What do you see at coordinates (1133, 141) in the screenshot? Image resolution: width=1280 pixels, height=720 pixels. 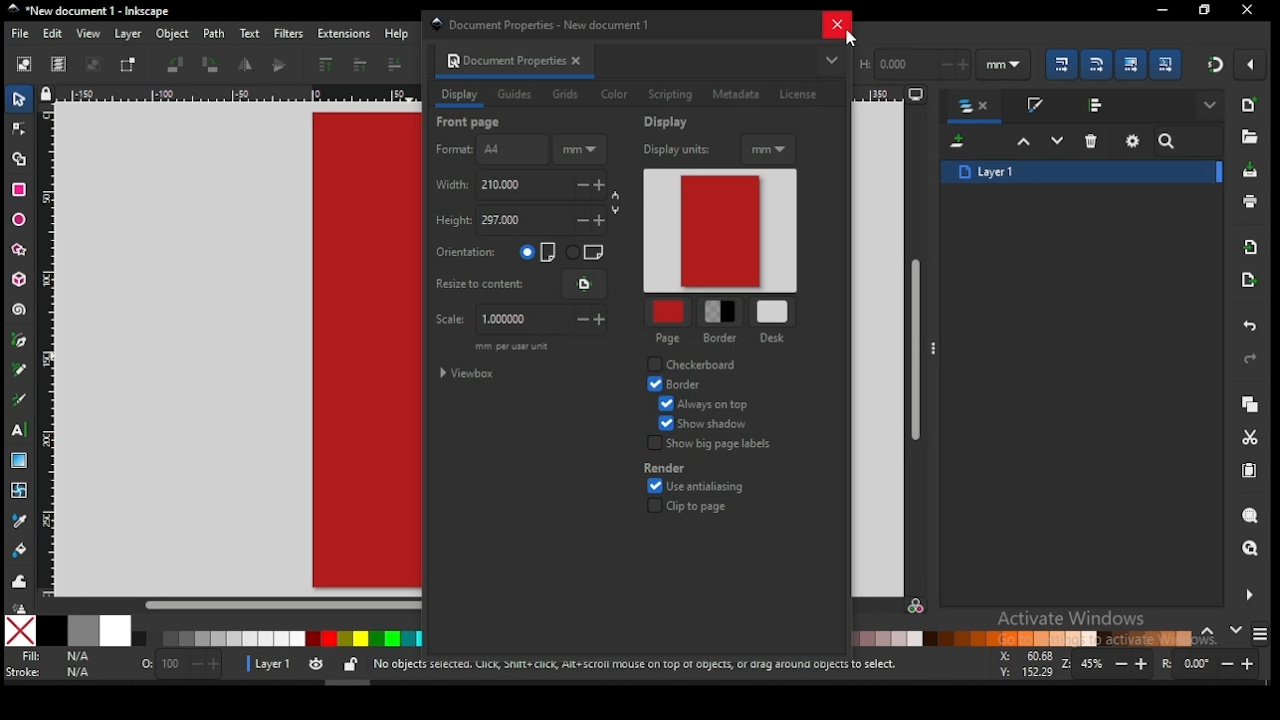 I see `layers and objects dialogue settings` at bounding box center [1133, 141].